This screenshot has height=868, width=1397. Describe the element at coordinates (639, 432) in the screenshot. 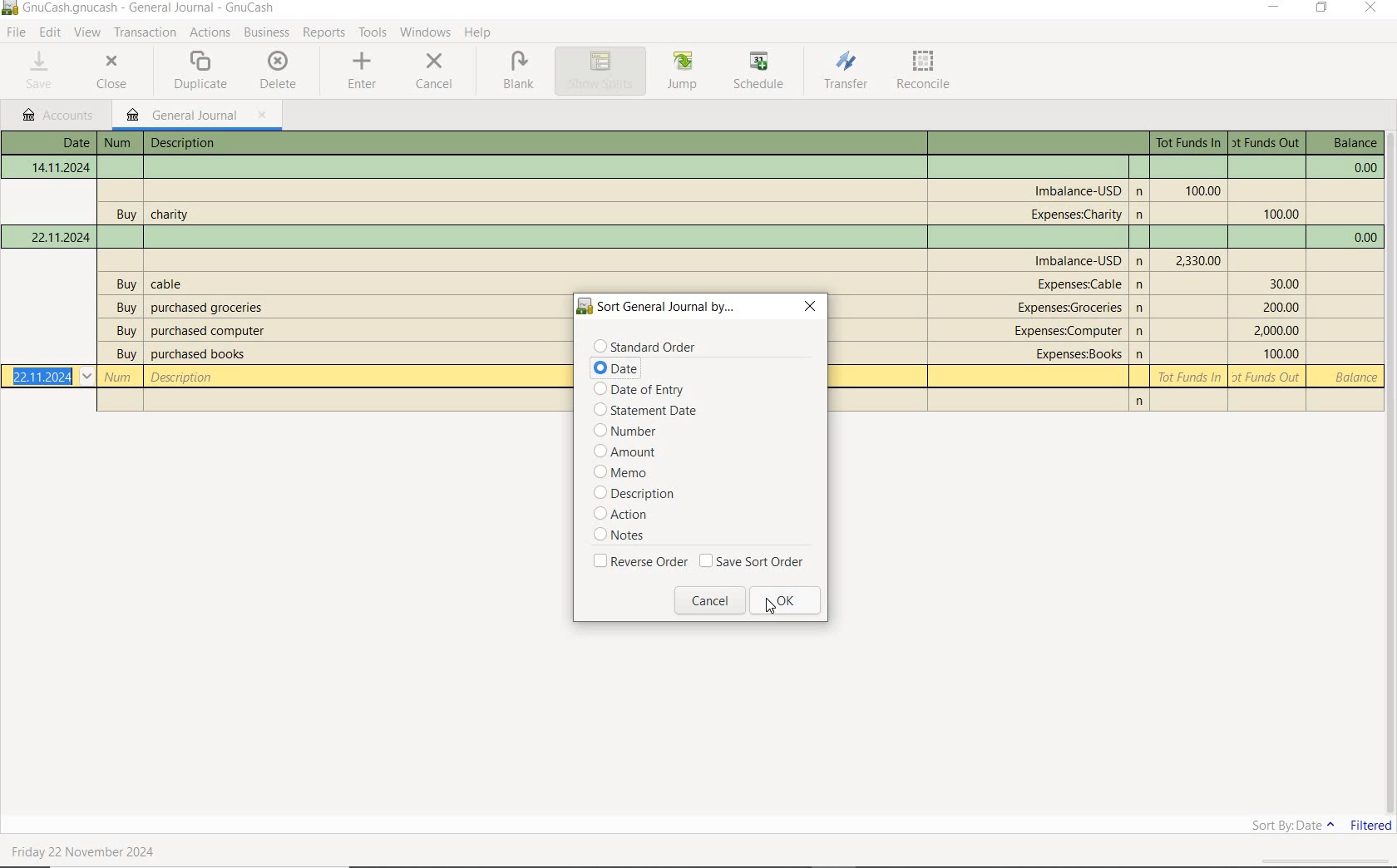

I see `number` at that location.